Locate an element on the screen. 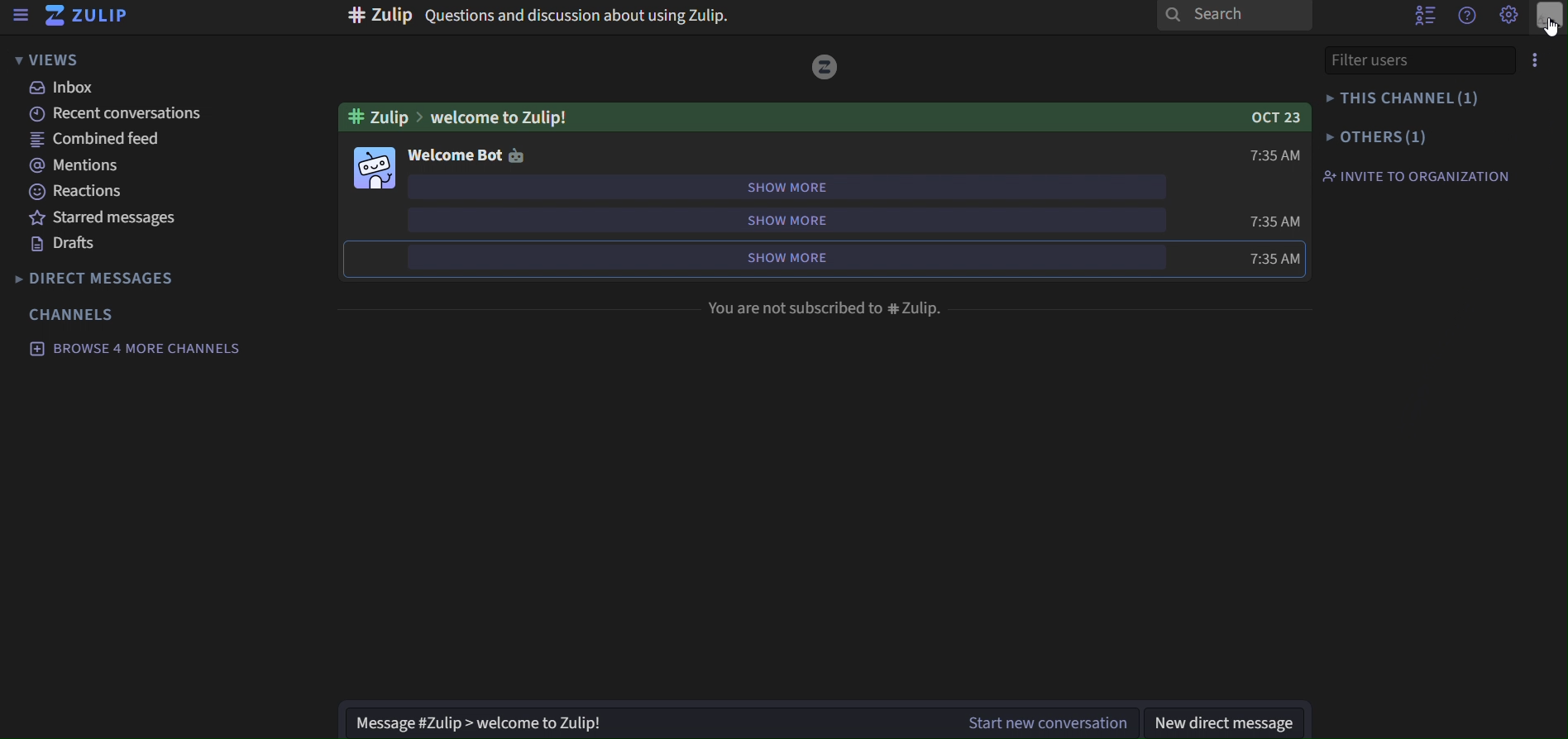 The image size is (1568, 739). recent conversations is located at coordinates (128, 116).